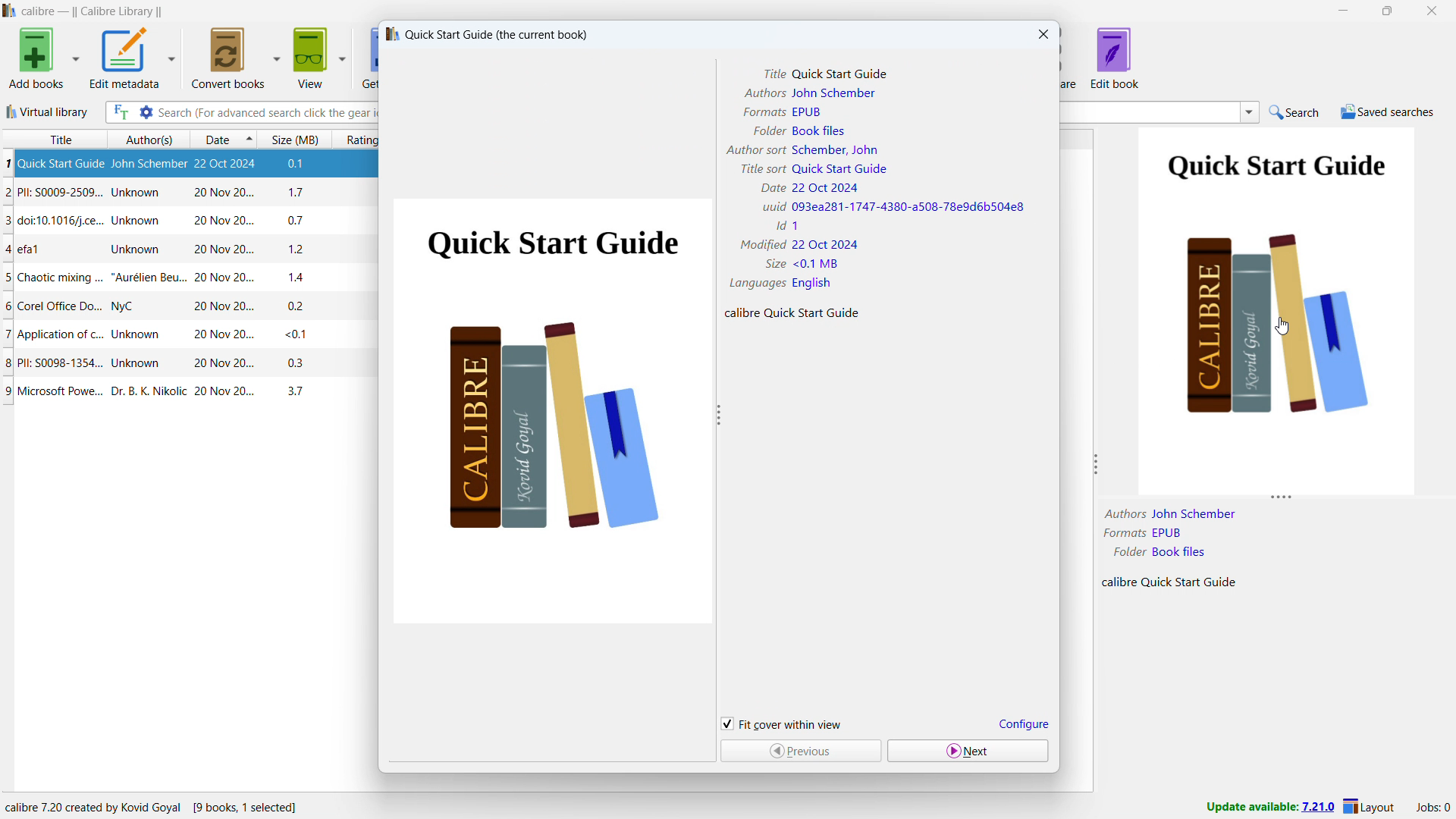  I want to click on close, so click(1432, 10).